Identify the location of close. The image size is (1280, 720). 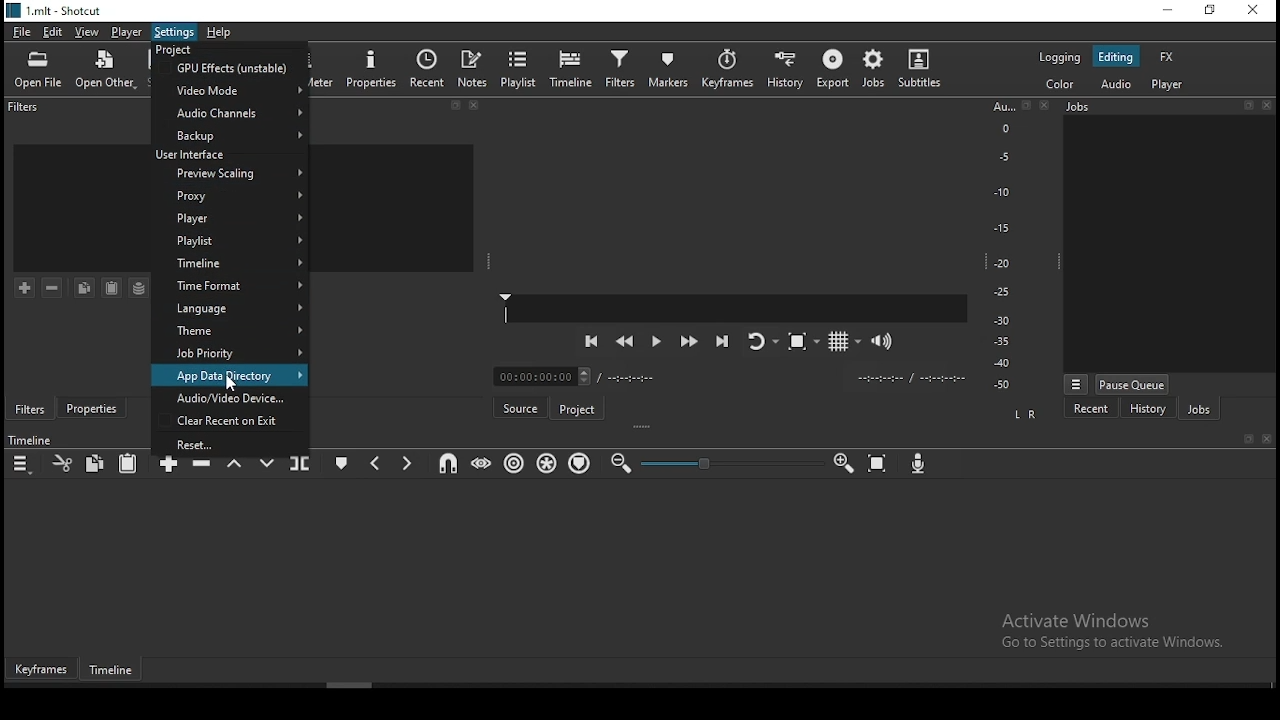
(1268, 440).